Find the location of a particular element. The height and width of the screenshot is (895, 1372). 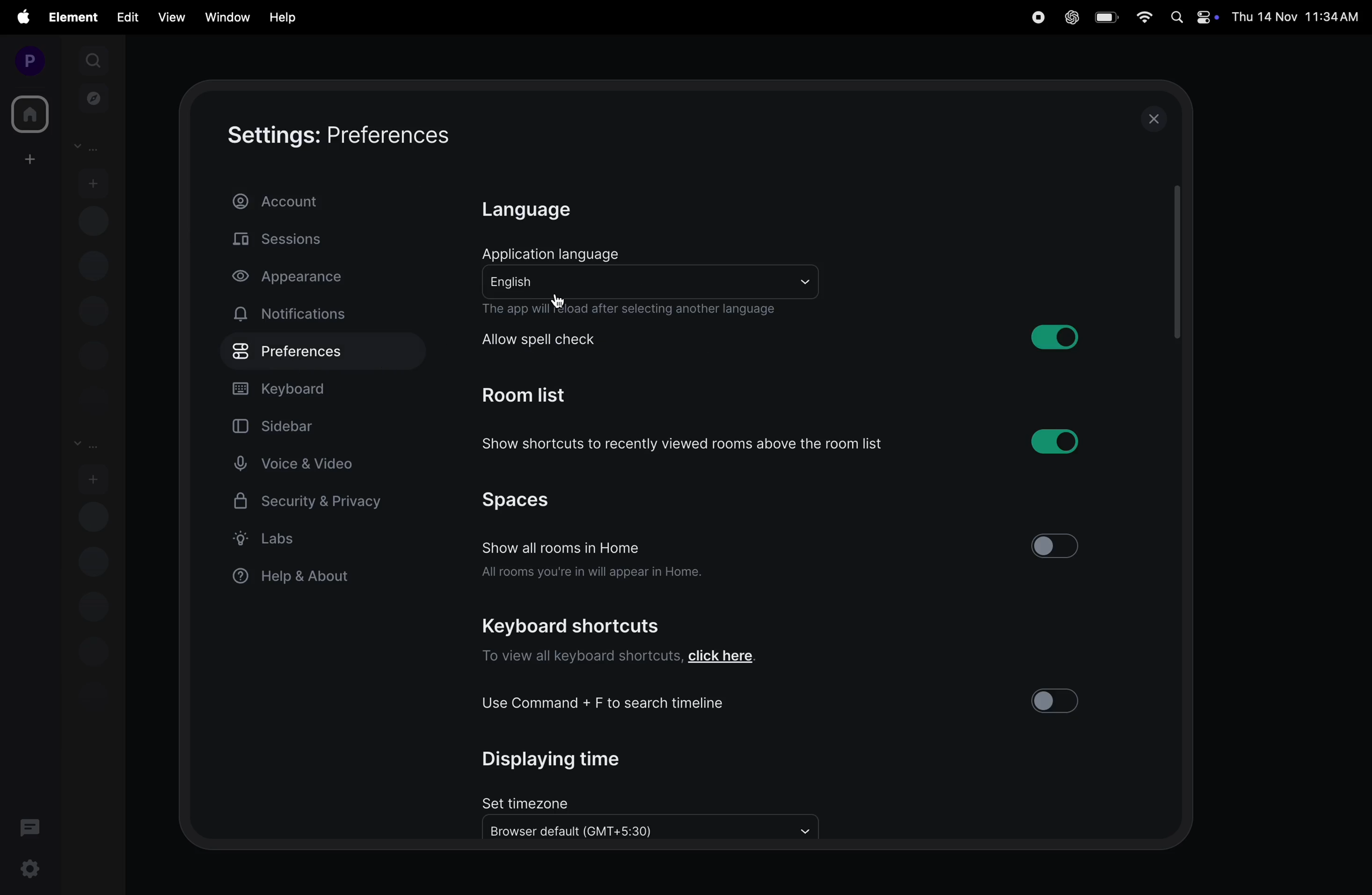

hlep is located at coordinates (283, 18).